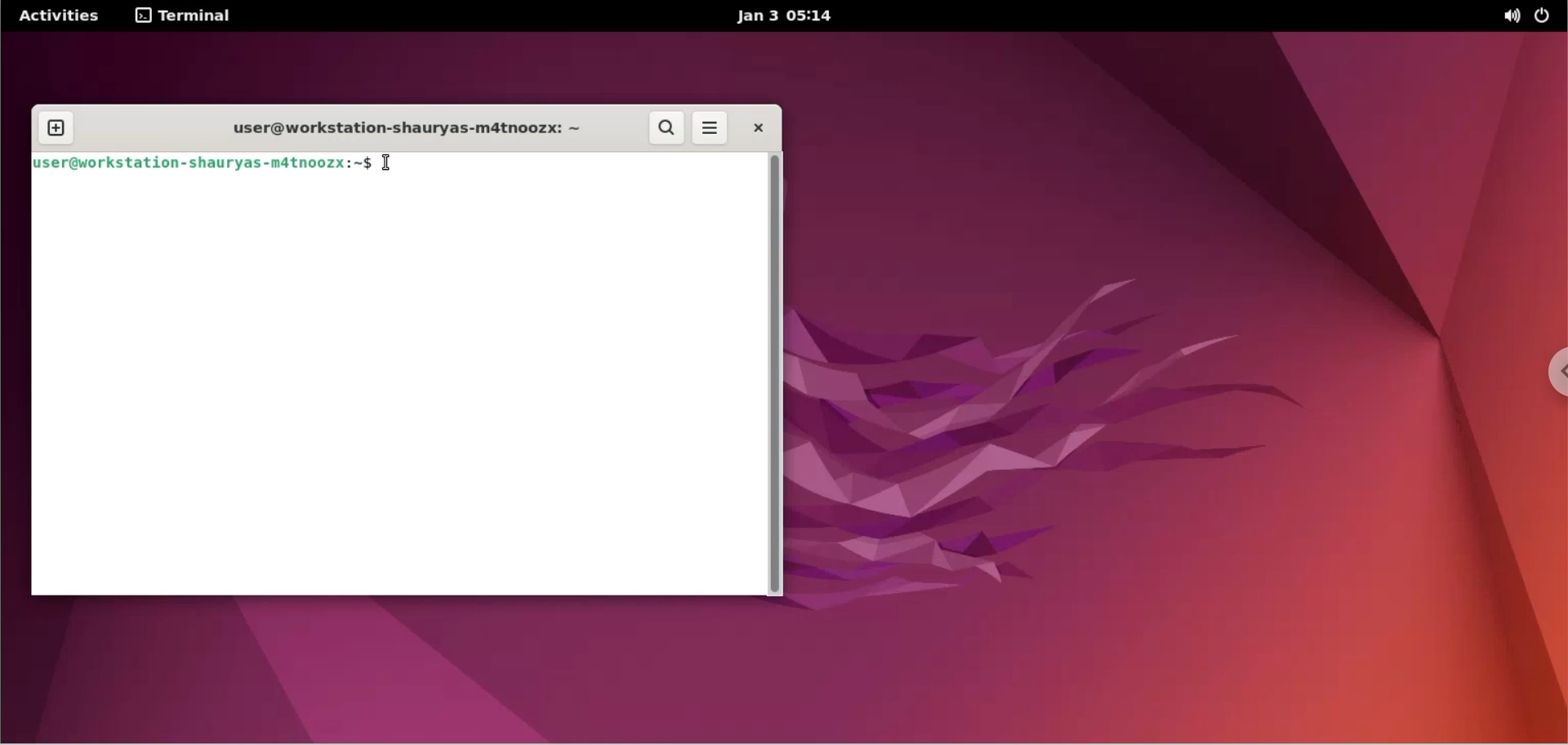 The image size is (1568, 745). Describe the element at coordinates (60, 15) in the screenshot. I see `Activities` at that location.